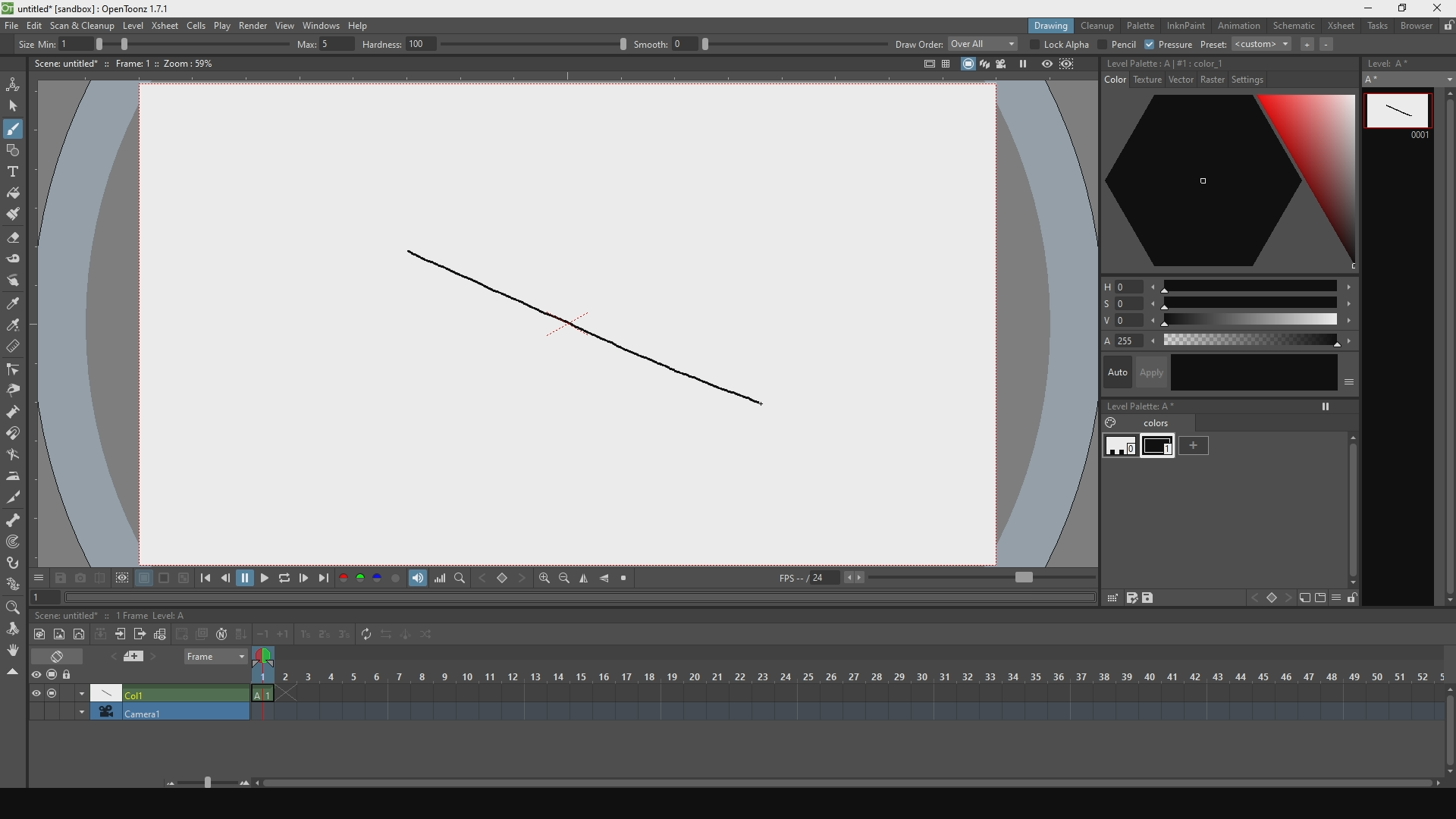  What do you see at coordinates (369, 581) in the screenshot?
I see `palette colors` at bounding box center [369, 581].